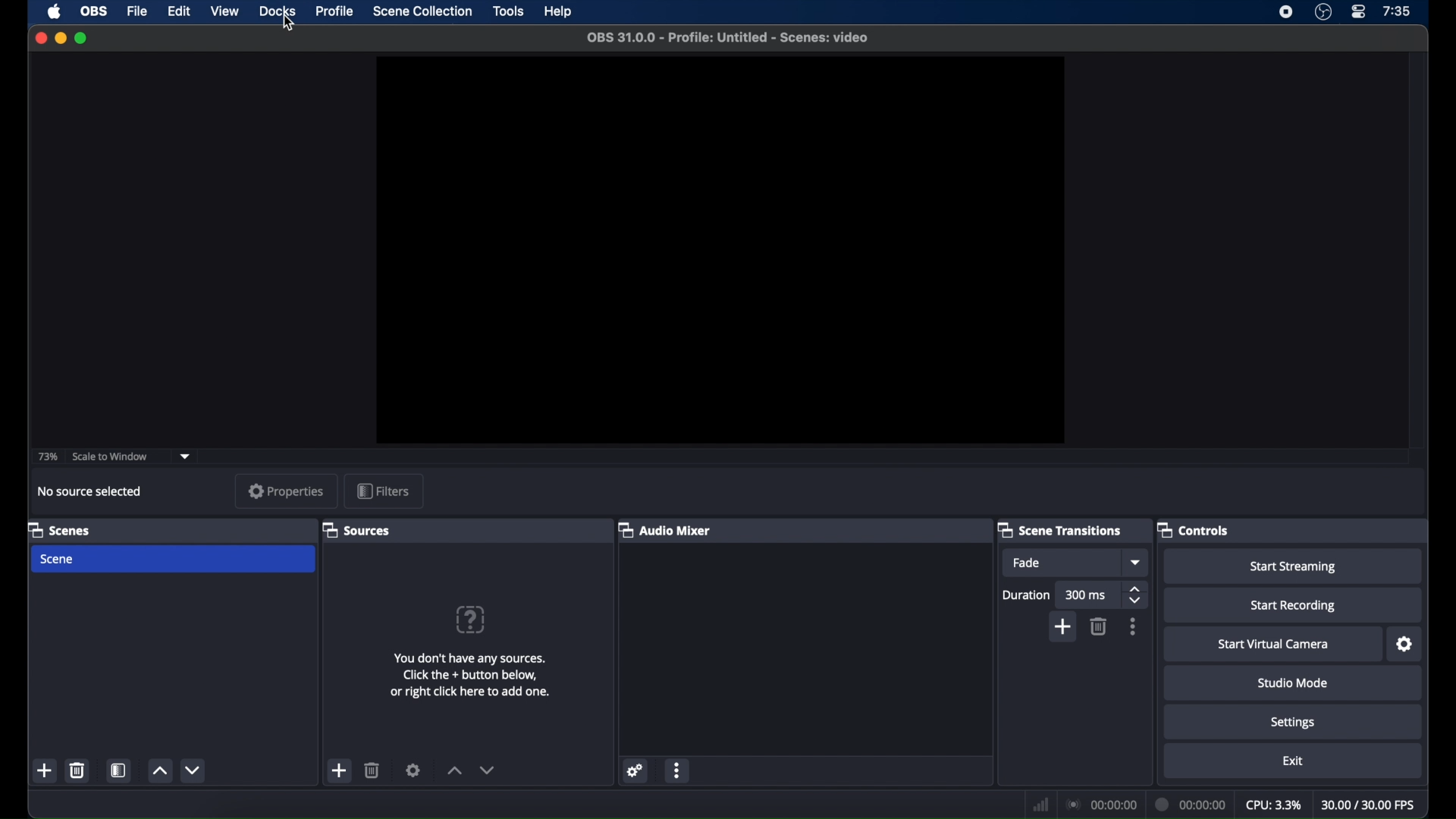  Describe the element at coordinates (1103, 805) in the screenshot. I see `connection` at that location.